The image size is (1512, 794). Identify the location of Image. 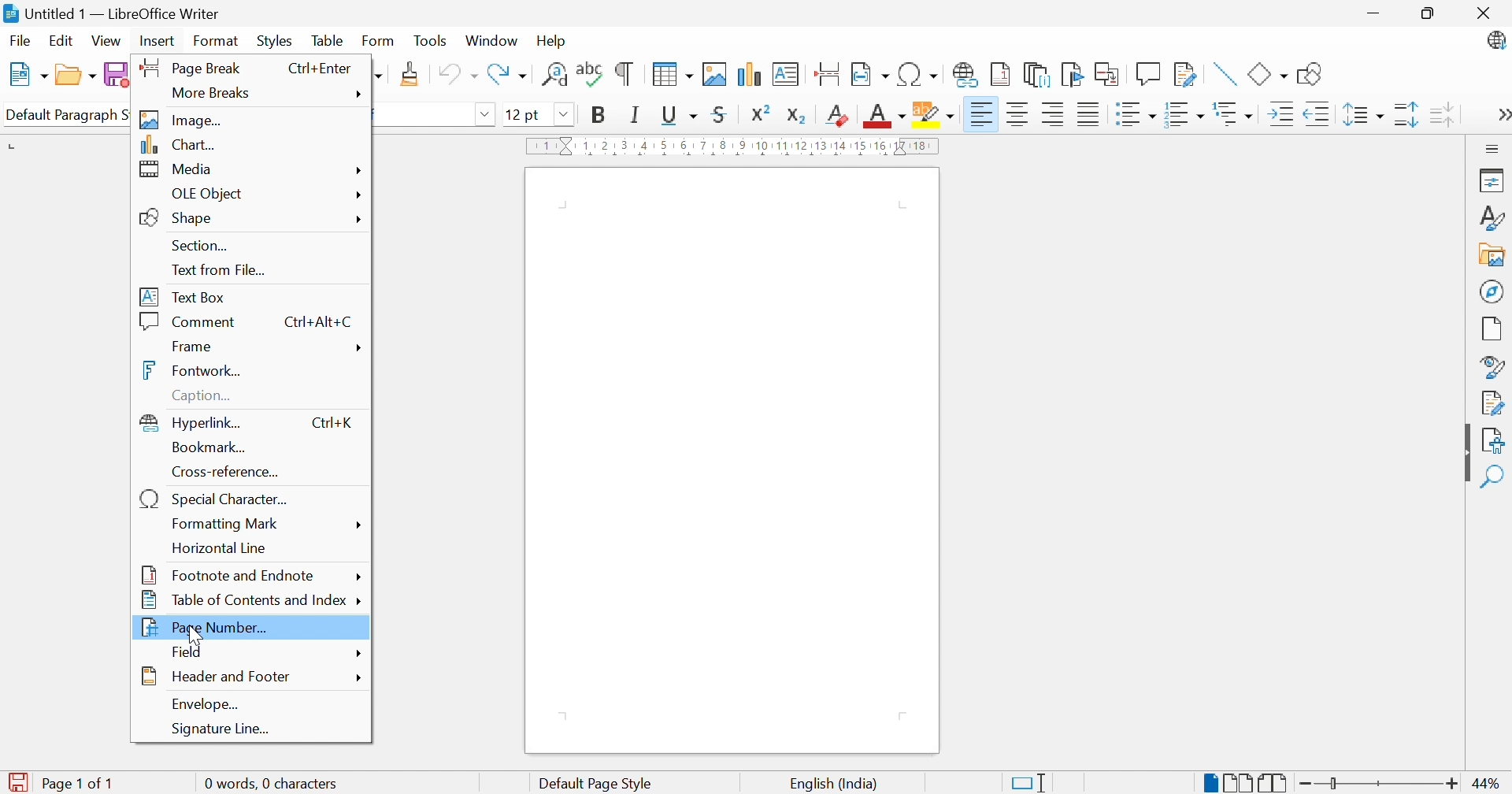
(182, 120).